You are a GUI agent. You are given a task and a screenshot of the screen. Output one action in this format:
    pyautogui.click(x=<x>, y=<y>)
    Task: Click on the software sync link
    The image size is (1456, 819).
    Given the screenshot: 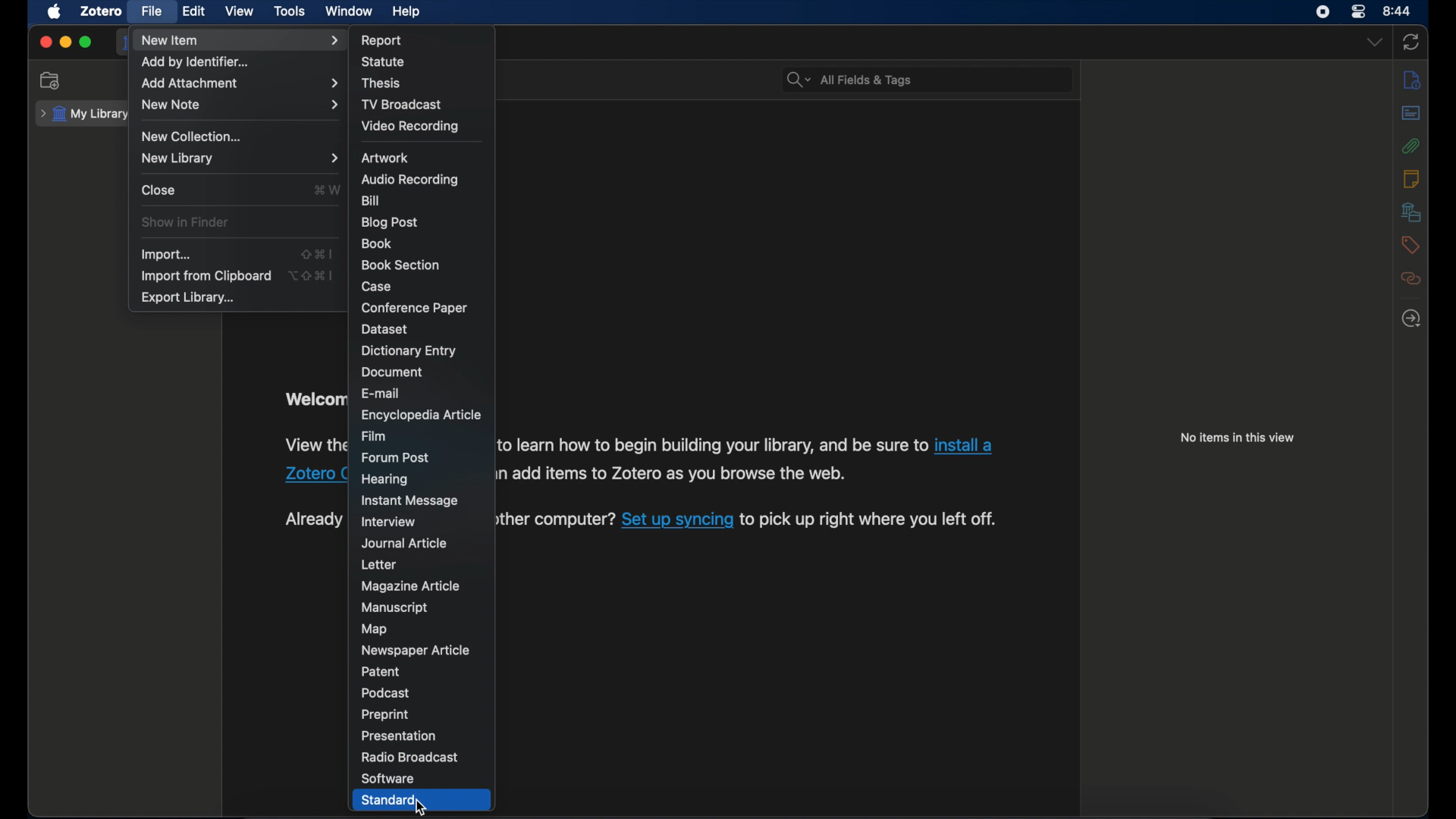 What is the action you would take?
    pyautogui.click(x=678, y=521)
    